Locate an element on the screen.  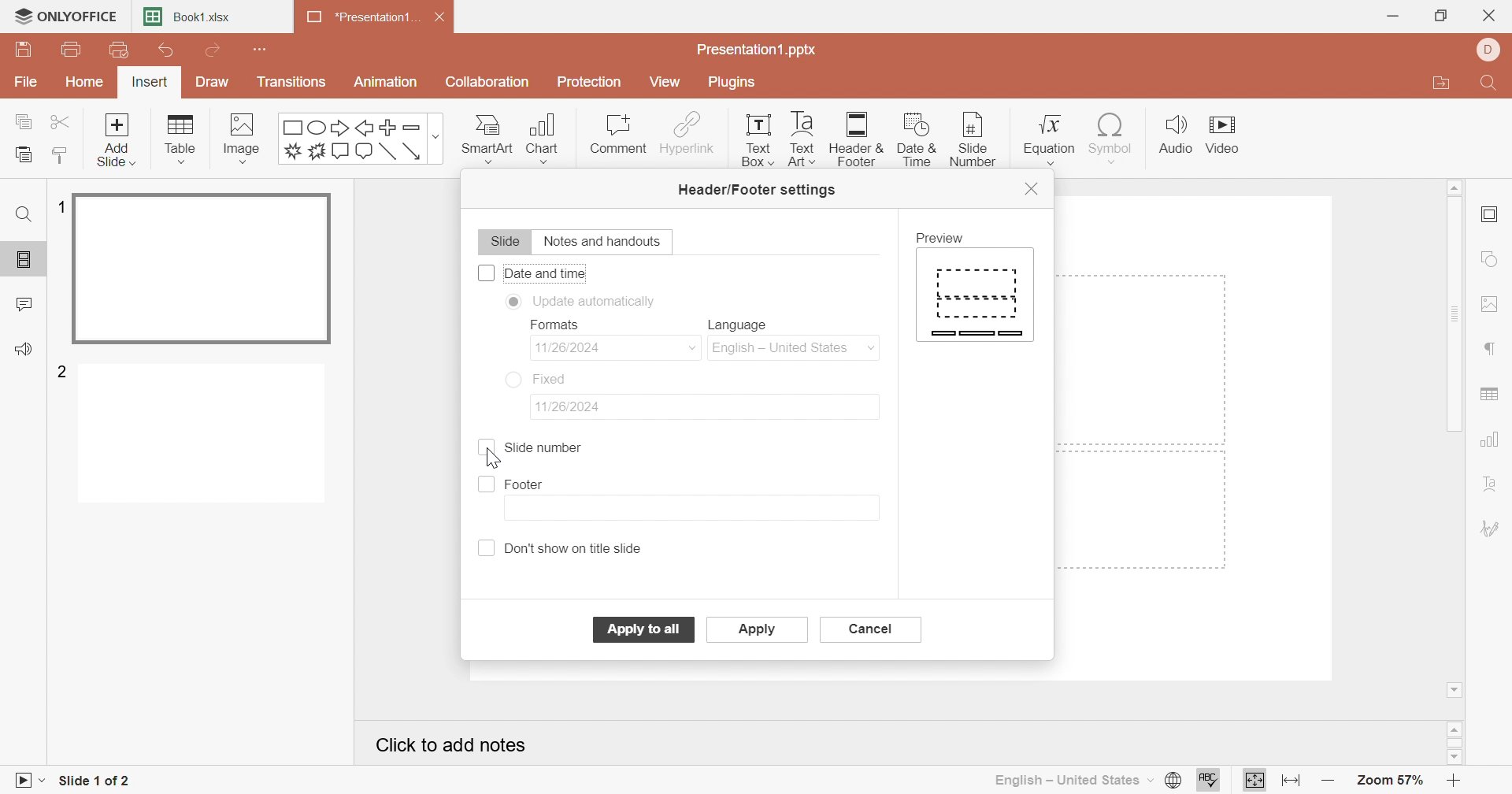
Comment is located at coordinates (617, 135).